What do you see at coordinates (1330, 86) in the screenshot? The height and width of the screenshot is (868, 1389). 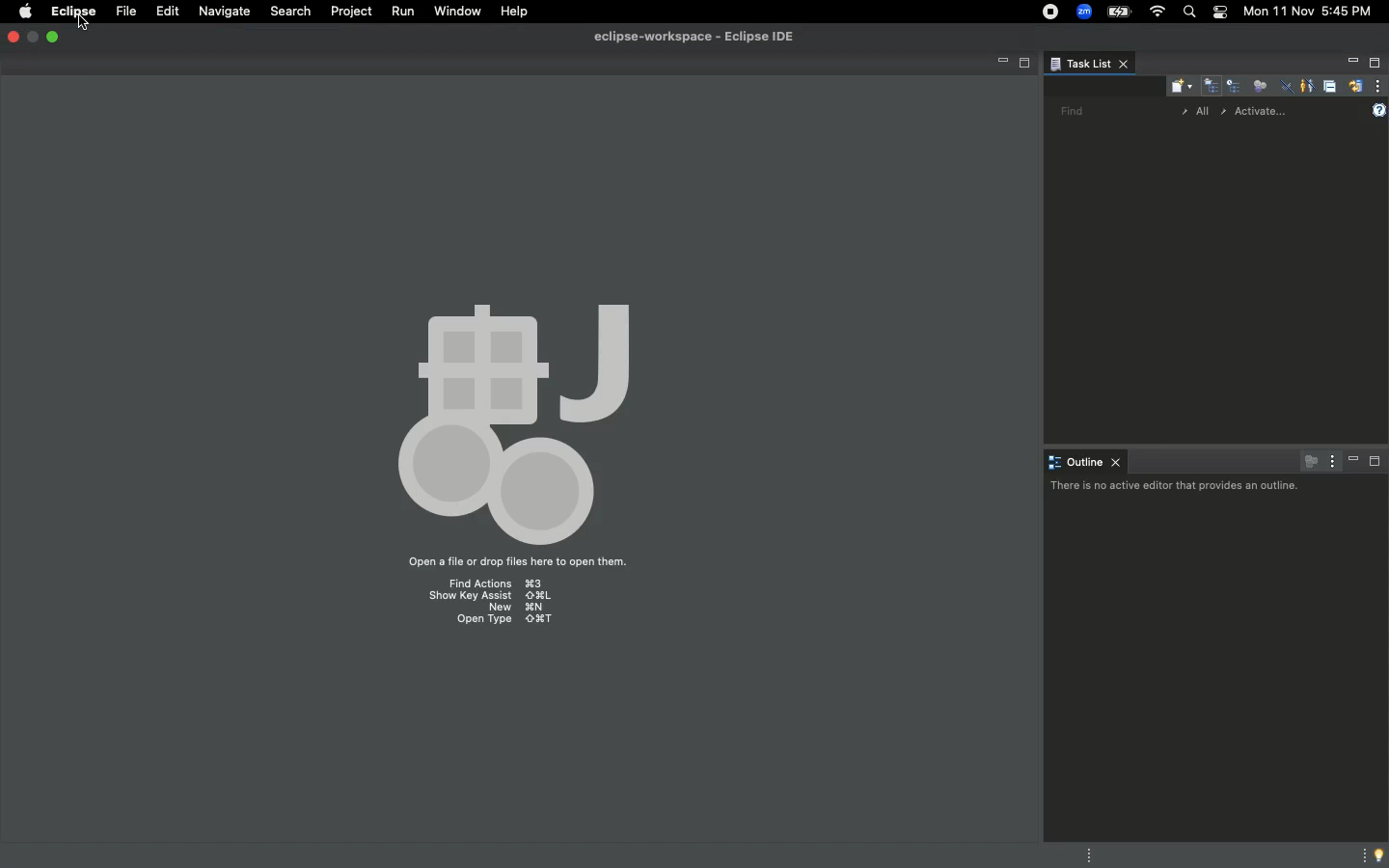 I see `Collapse all` at bounding box center [1330, 86].